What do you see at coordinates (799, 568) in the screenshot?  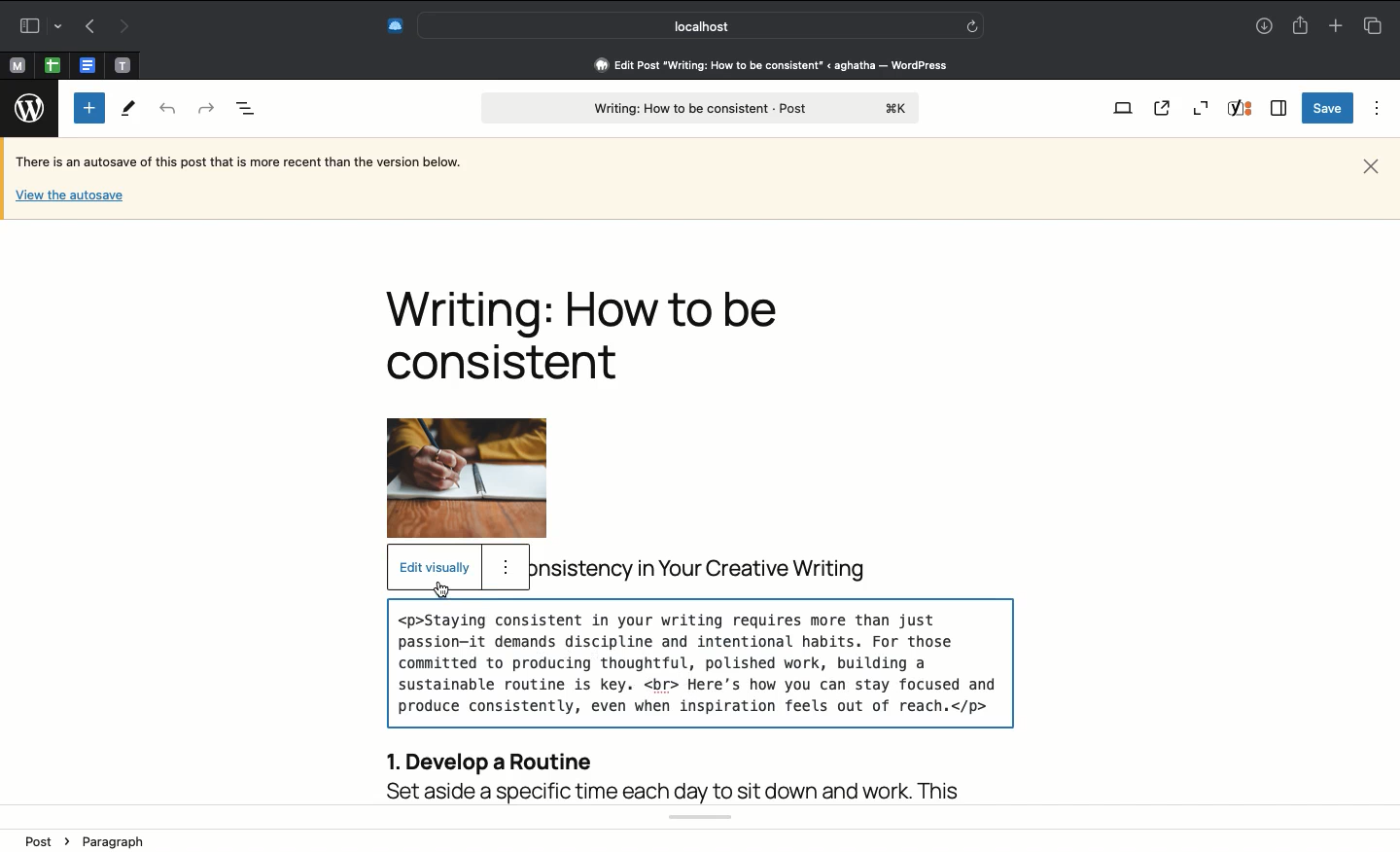 I see `title` at bounding box center [799, 568].